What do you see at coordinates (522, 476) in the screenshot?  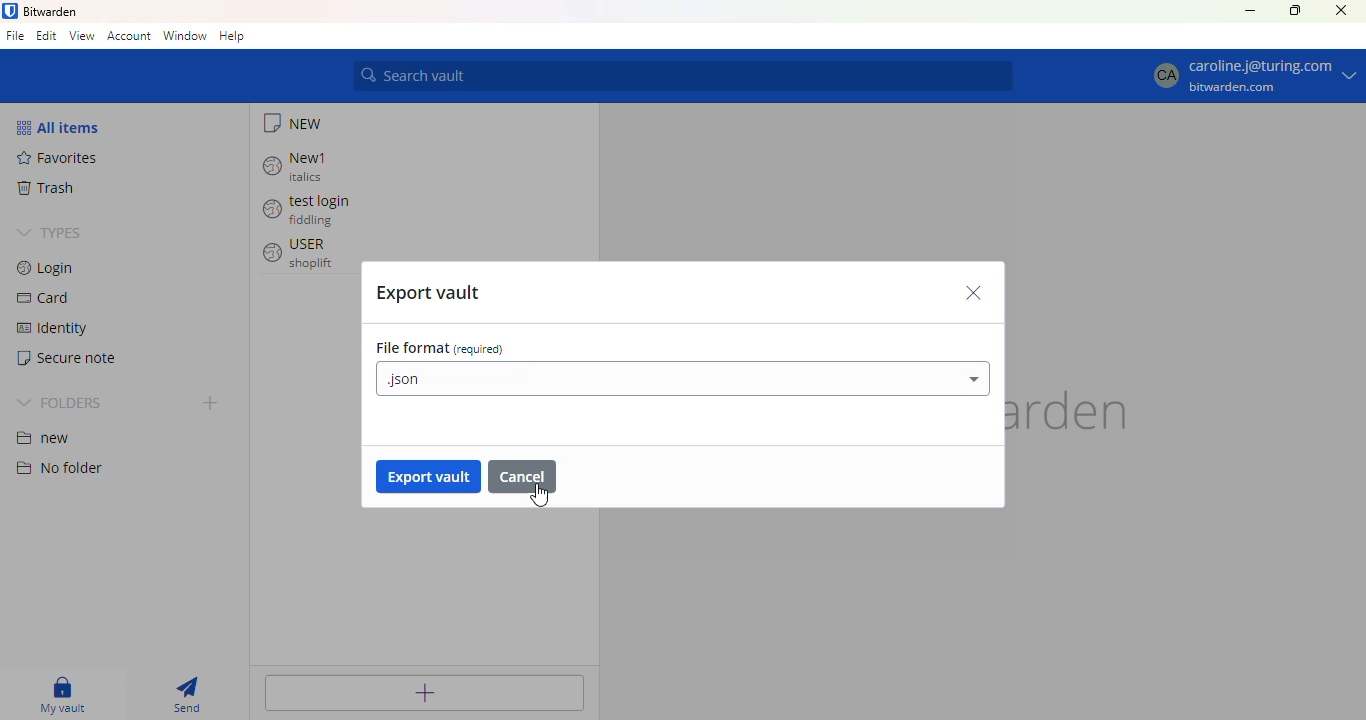 I see `cancel` at bounding box center [522, 476].